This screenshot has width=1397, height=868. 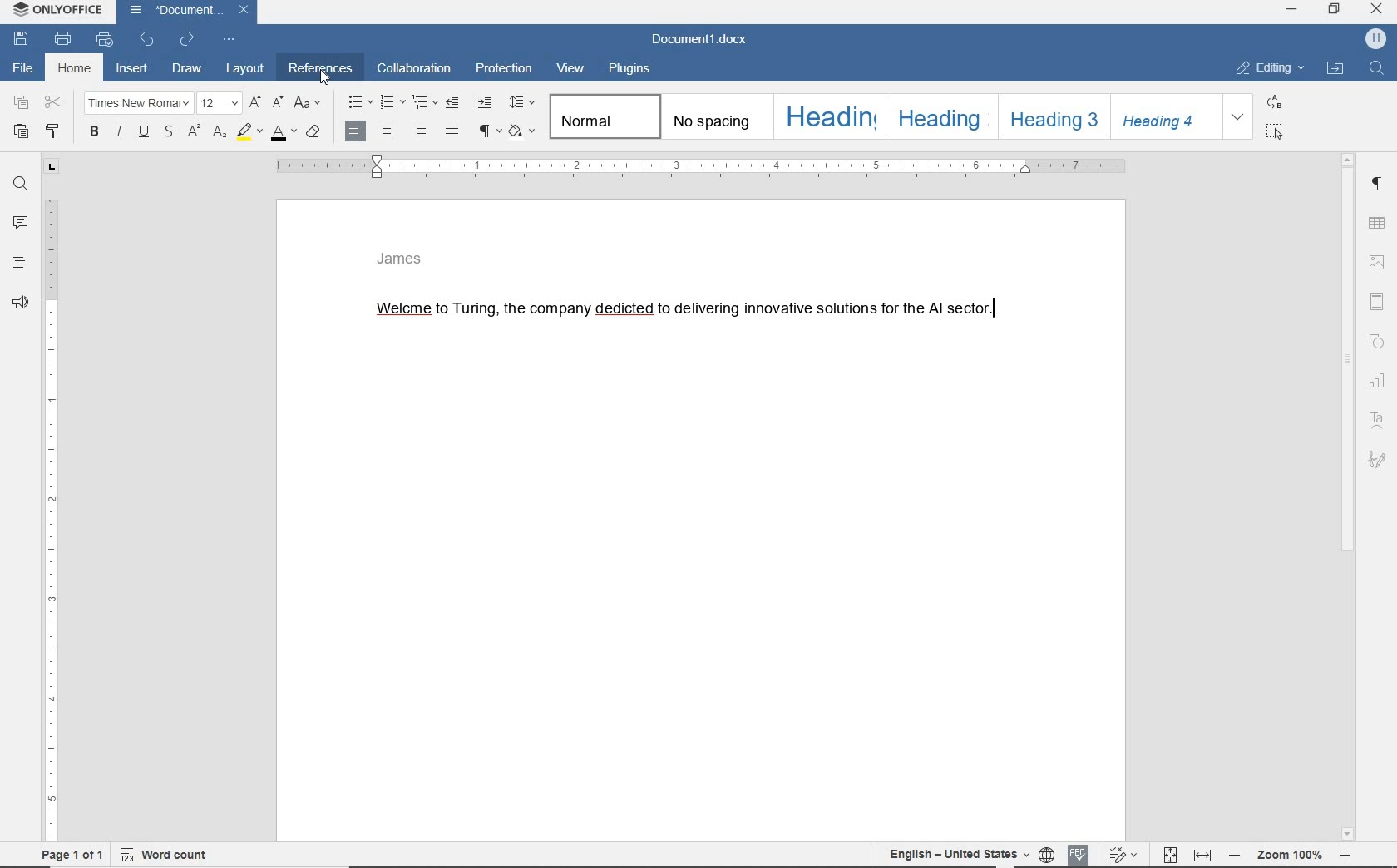 What do you see at coordinates (940, 117) in the screenshot?
I see `Heading 2` at bounding box center [940, 117].